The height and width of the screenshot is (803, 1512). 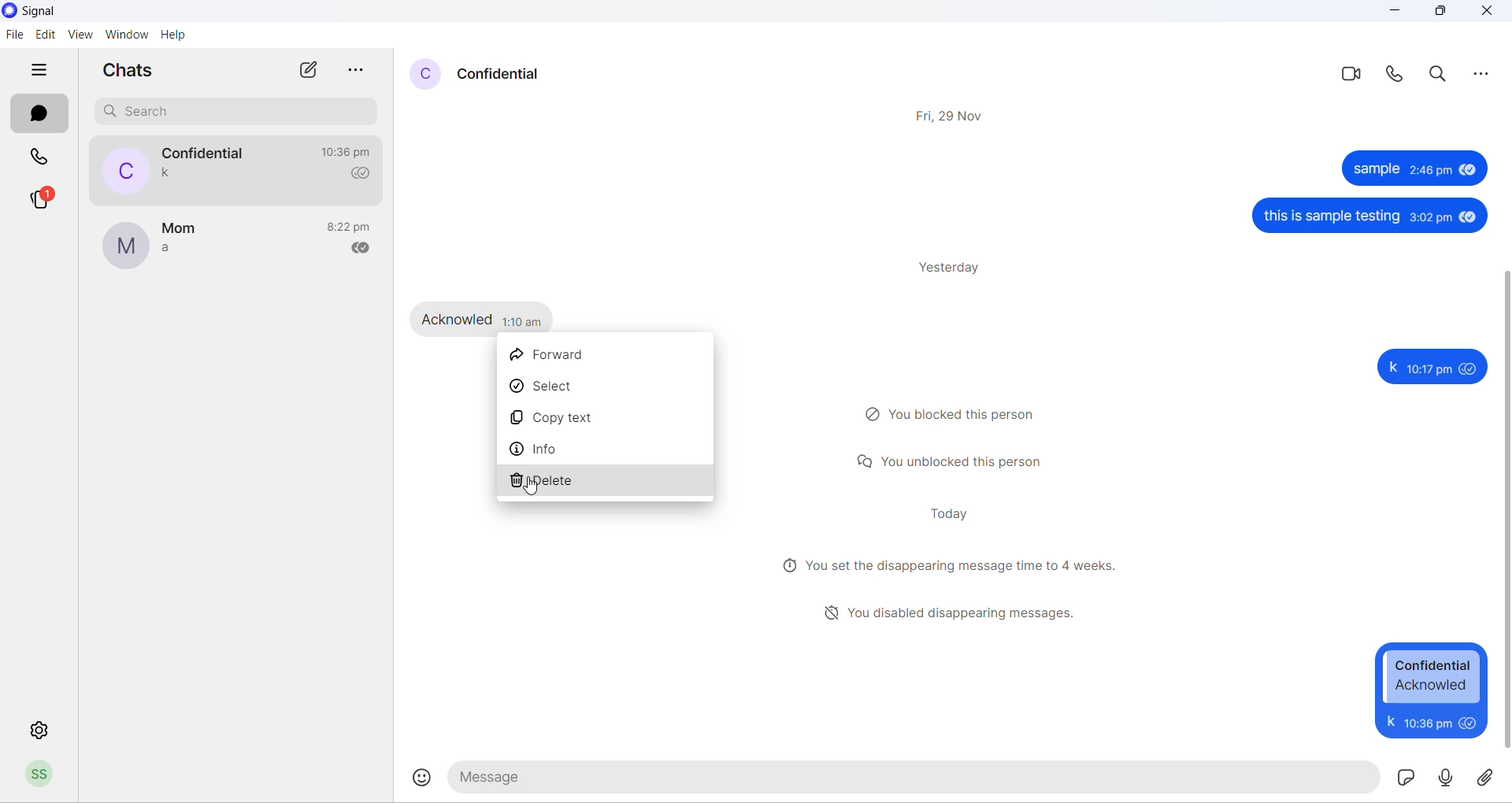 I want to click on last message time, so click(x=352, y=228).